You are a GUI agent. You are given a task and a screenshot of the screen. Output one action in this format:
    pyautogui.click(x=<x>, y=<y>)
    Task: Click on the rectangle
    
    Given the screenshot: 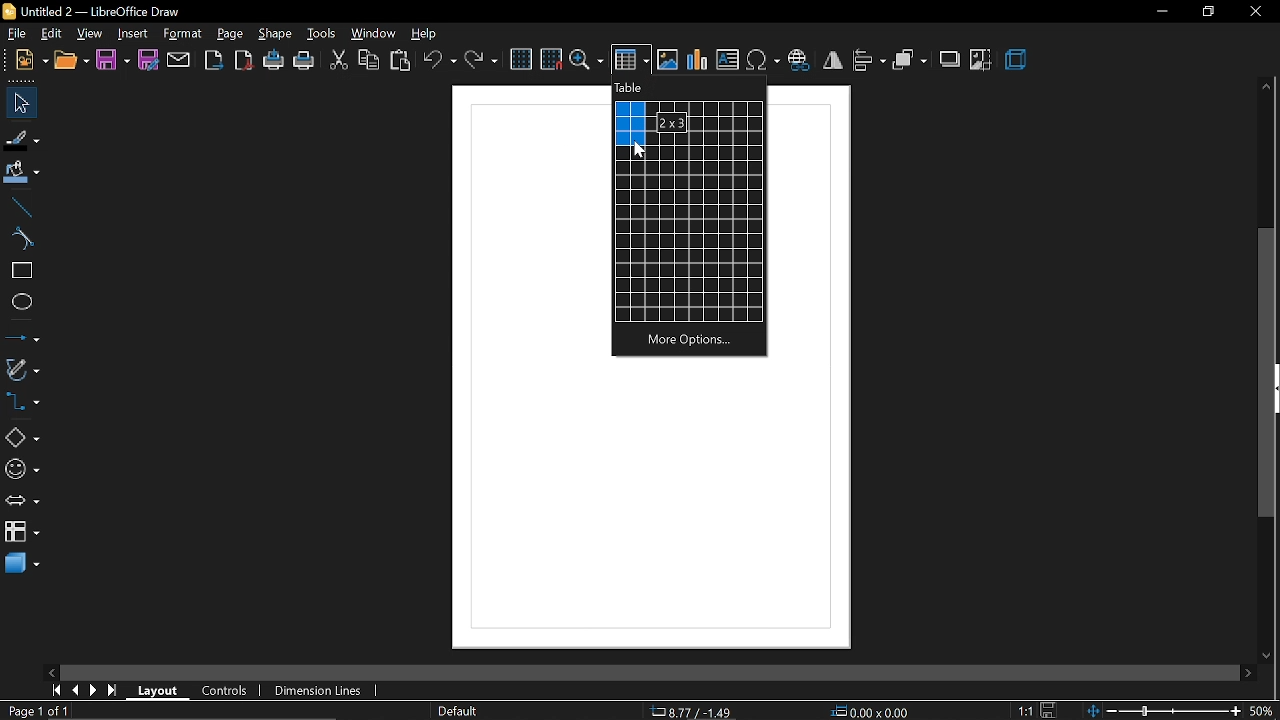 What is the action you would take?
    pyautogui.click(x=18, y=271)
    